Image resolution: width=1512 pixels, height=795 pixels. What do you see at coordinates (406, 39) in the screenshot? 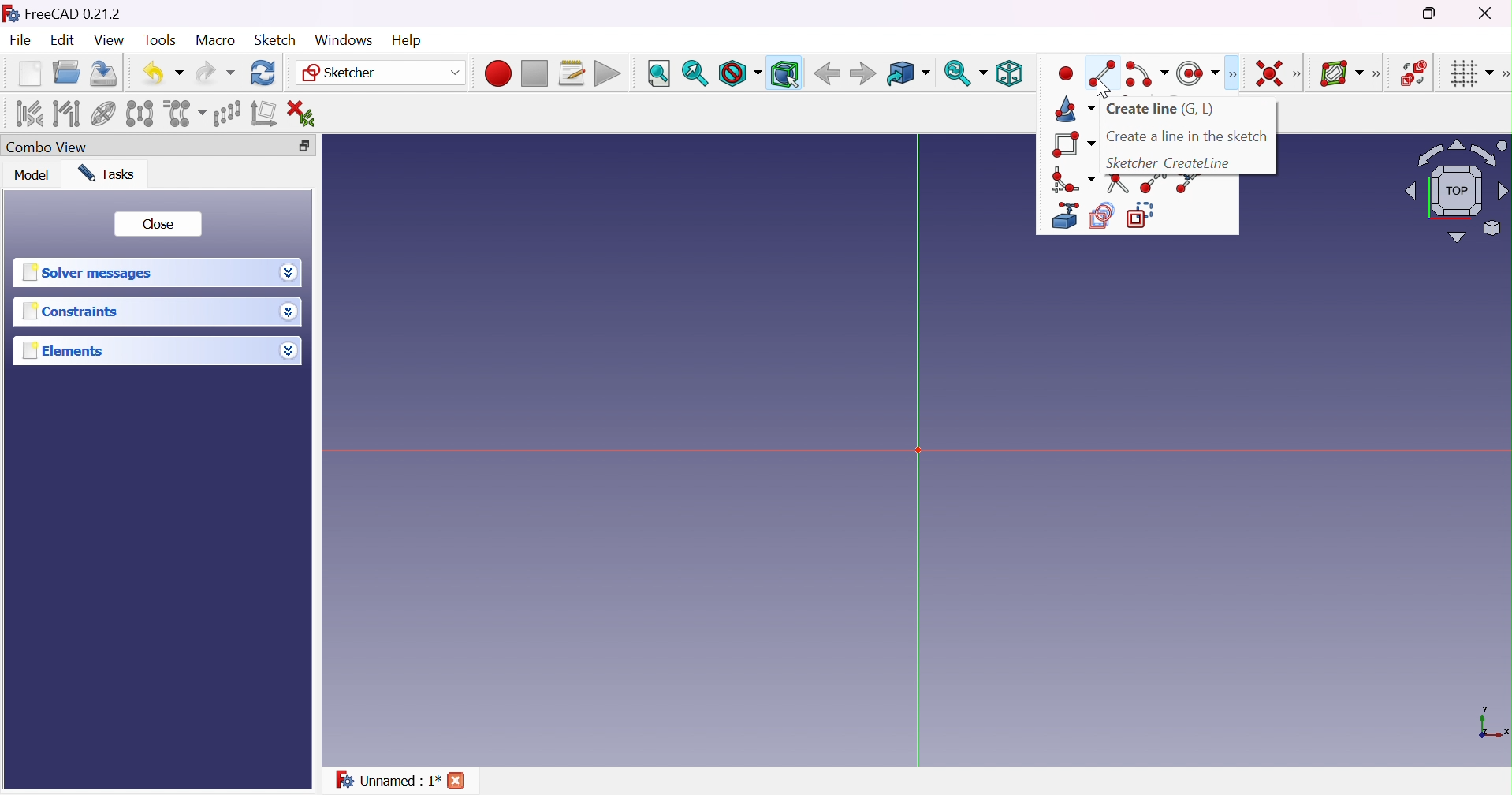
I see `Help` at bounding box center [406, 39].